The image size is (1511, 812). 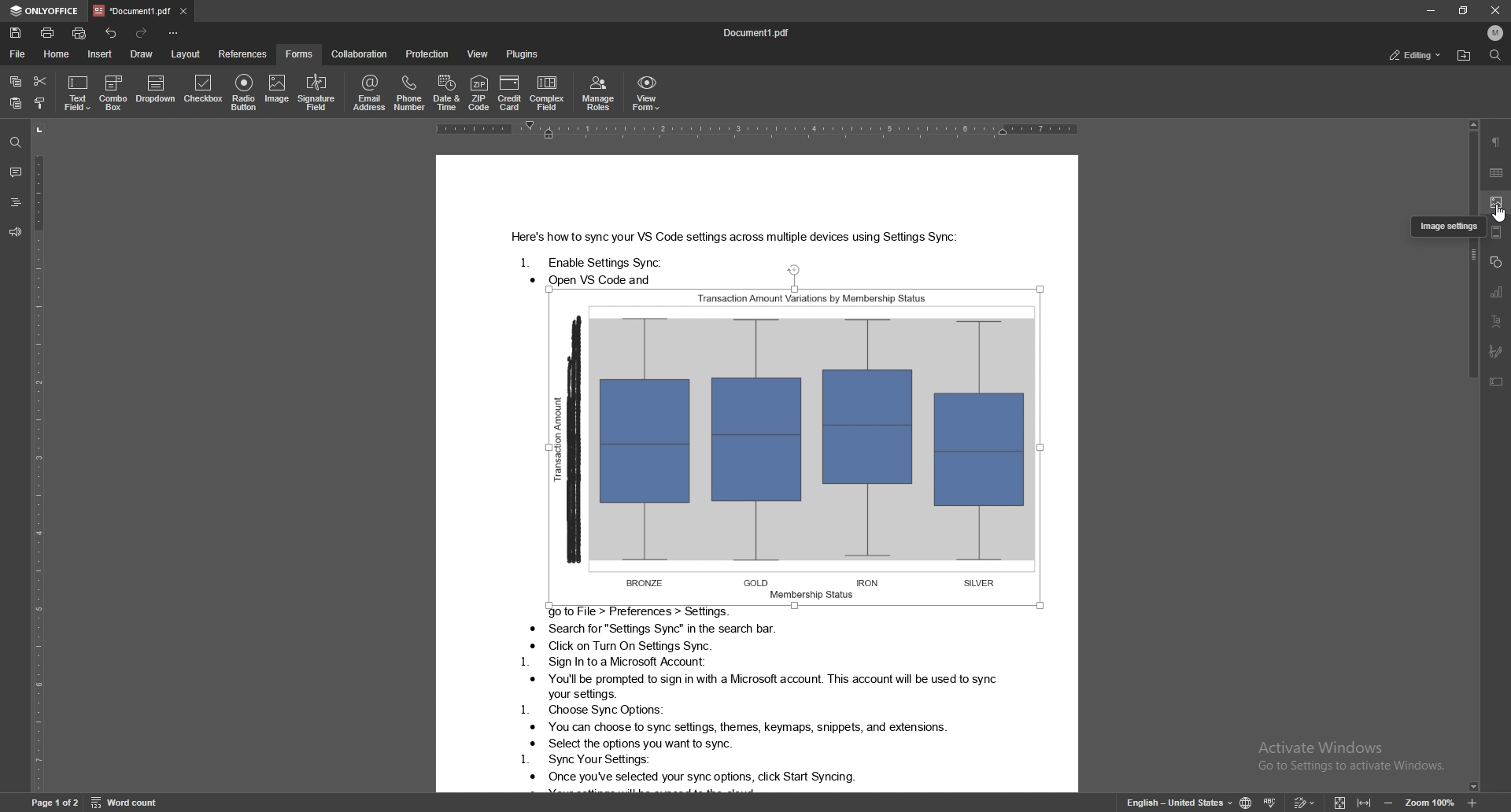 I want to click on signature field, so click(x=1495, y=351).